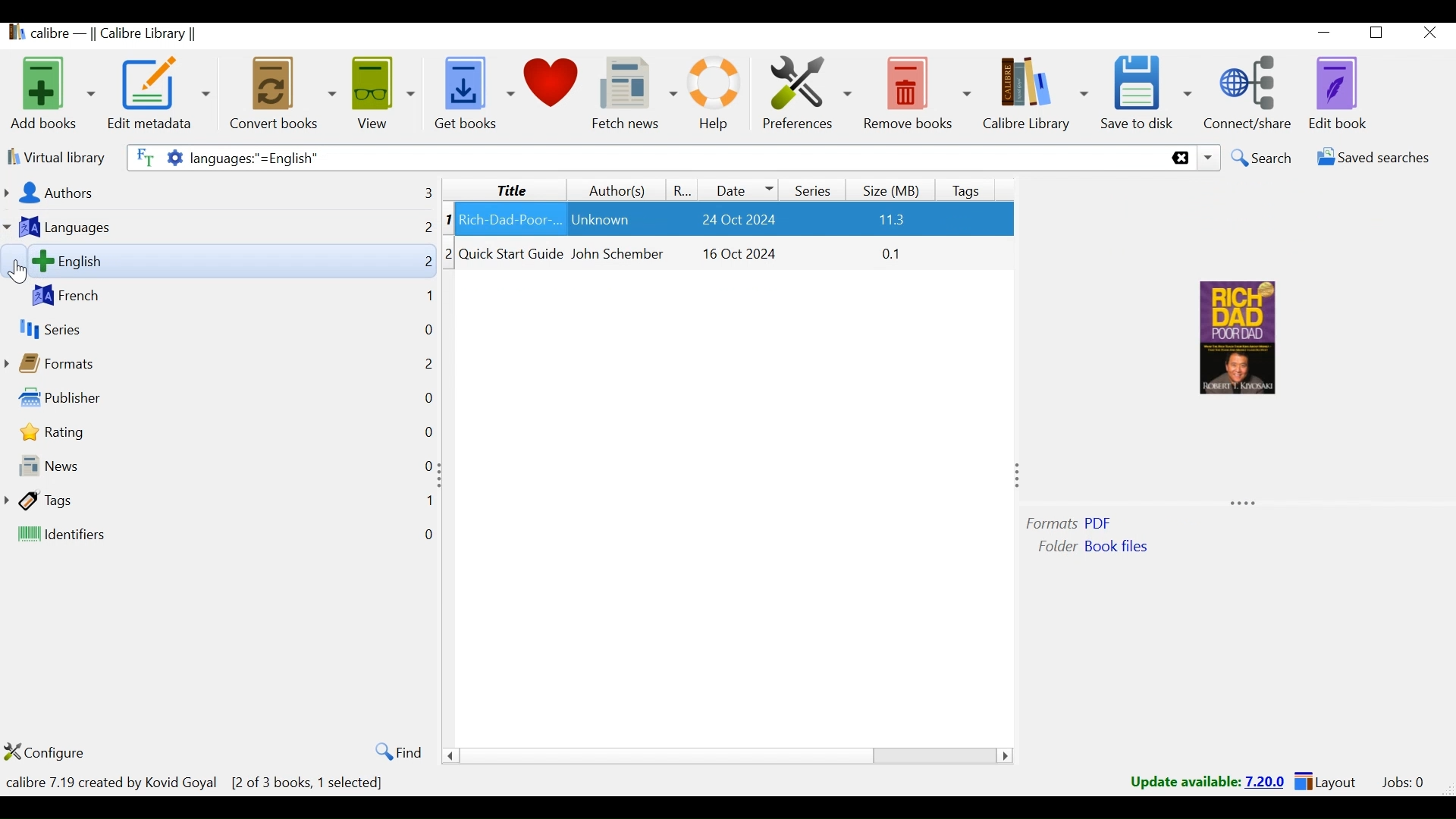 The image size is (1456, 819). Describe the element at coordinates (424, 263) in the screenshot. I see `2` at that location.